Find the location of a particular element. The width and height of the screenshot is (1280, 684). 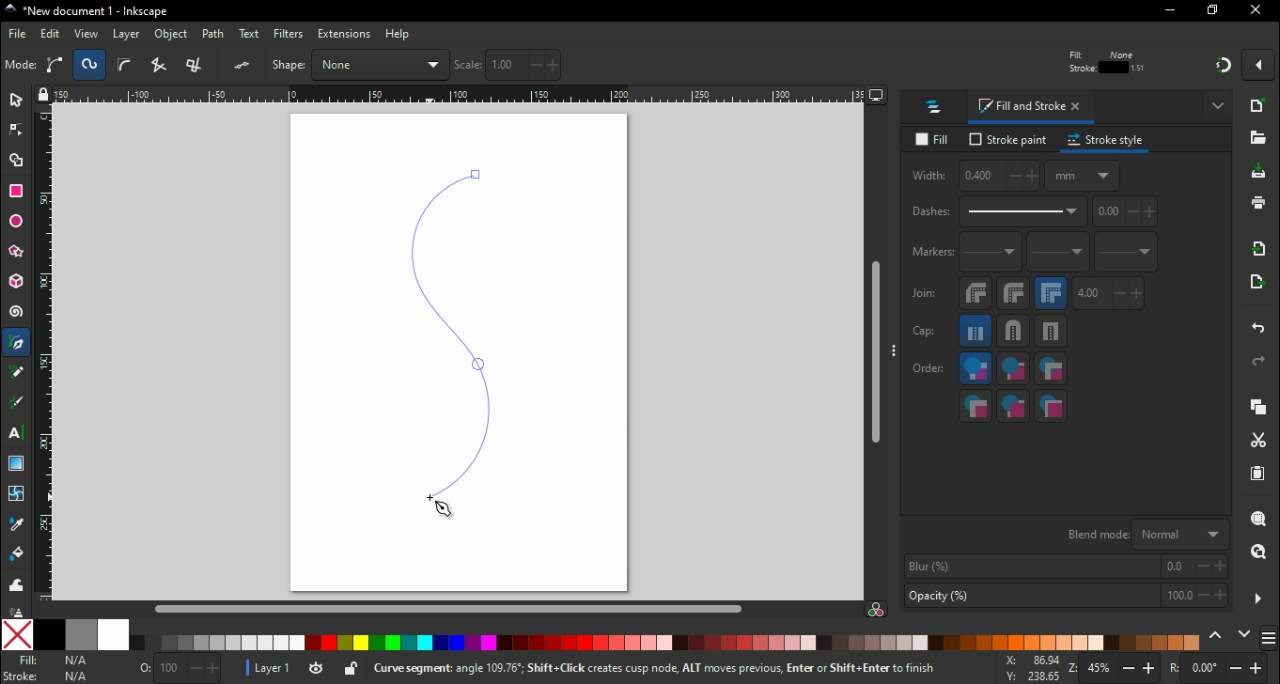

undo is located at coordinates (1256, 332).